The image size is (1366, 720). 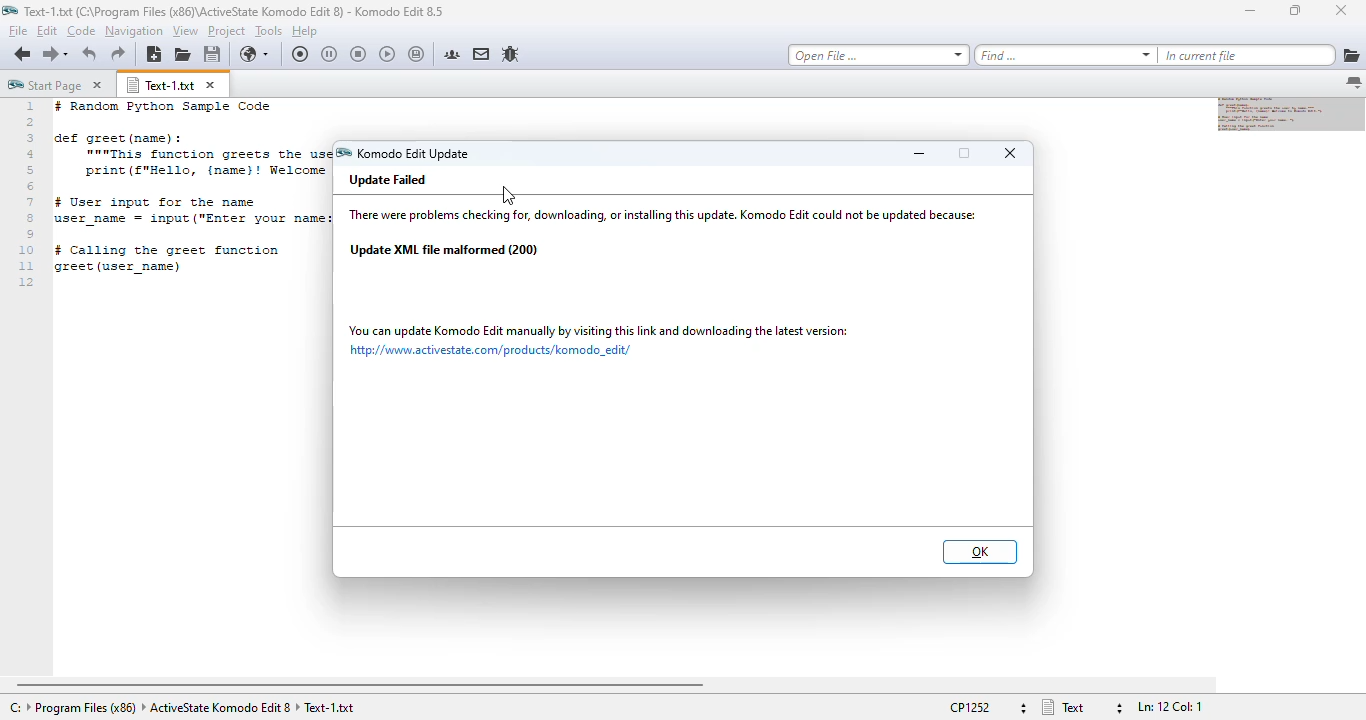 I want to click on komodo email lists, so click(x=481, y=54).